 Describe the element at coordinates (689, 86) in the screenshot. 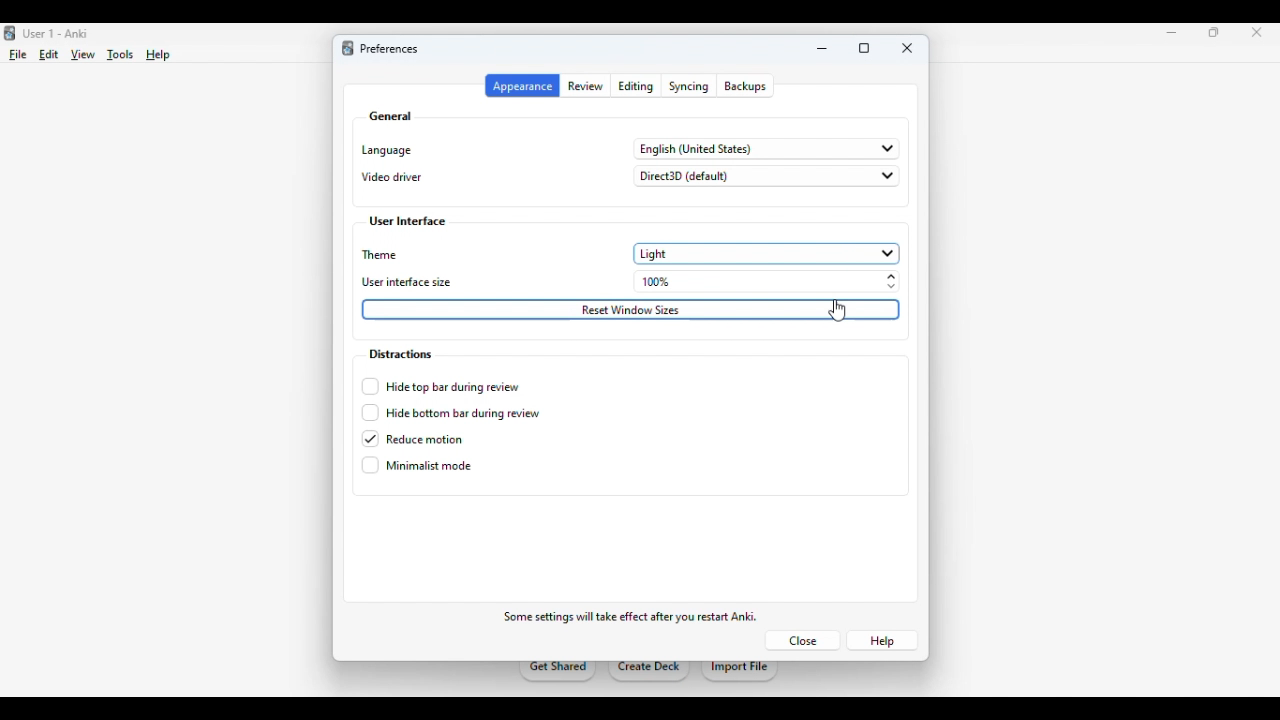

I see `syncing` at that location.